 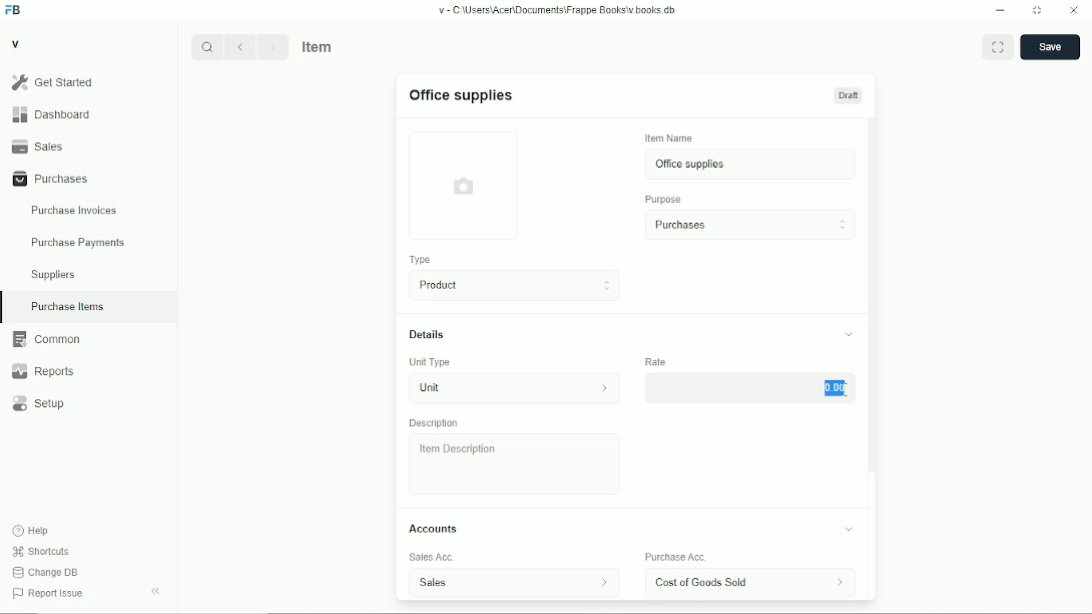 What do you see at coordinates (1000, 10) in the screenshot?
I see `Minimize` at bounding box center [1000, 10].